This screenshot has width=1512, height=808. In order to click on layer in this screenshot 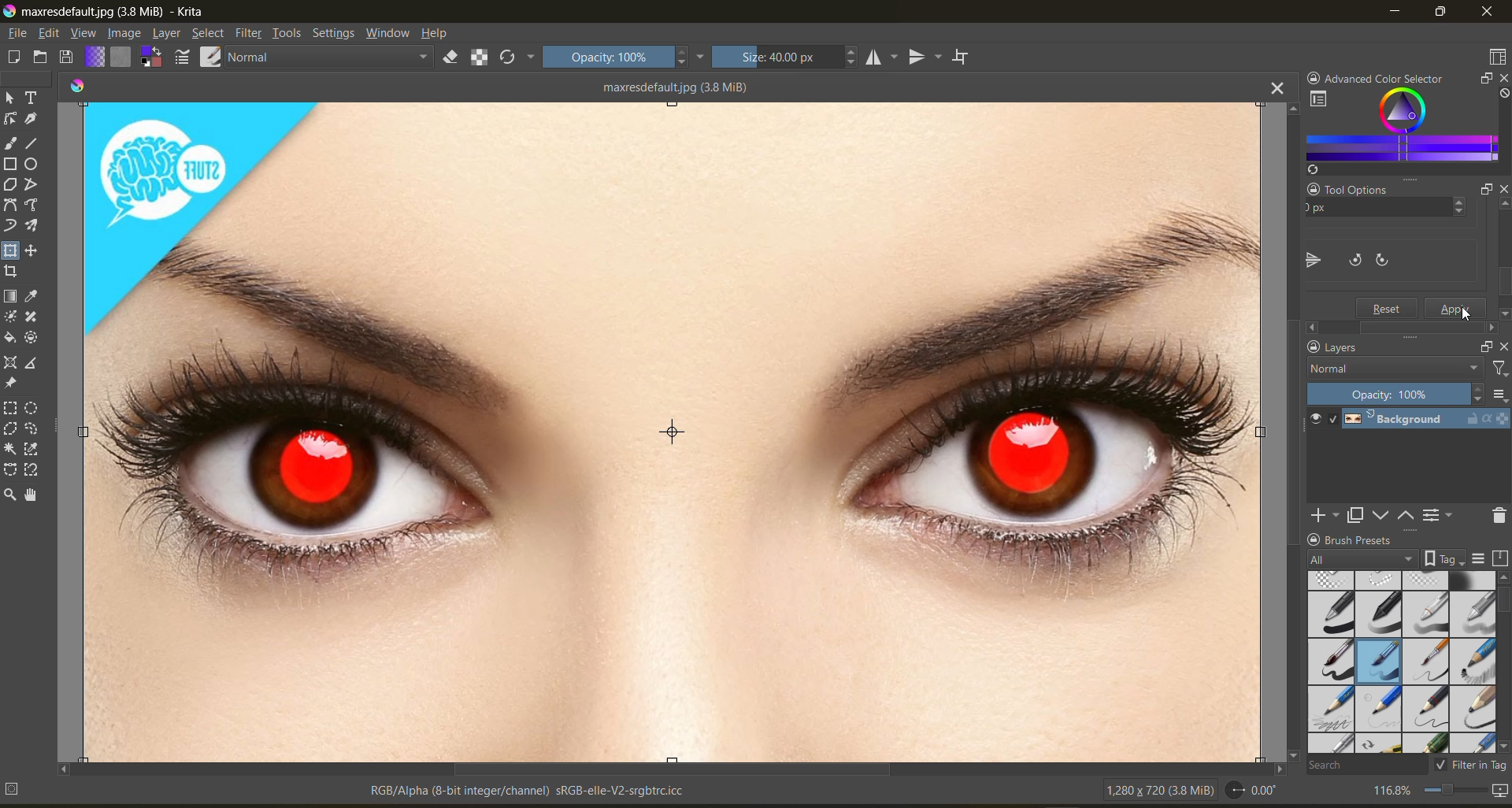, I will do `click(1424, 422)`.